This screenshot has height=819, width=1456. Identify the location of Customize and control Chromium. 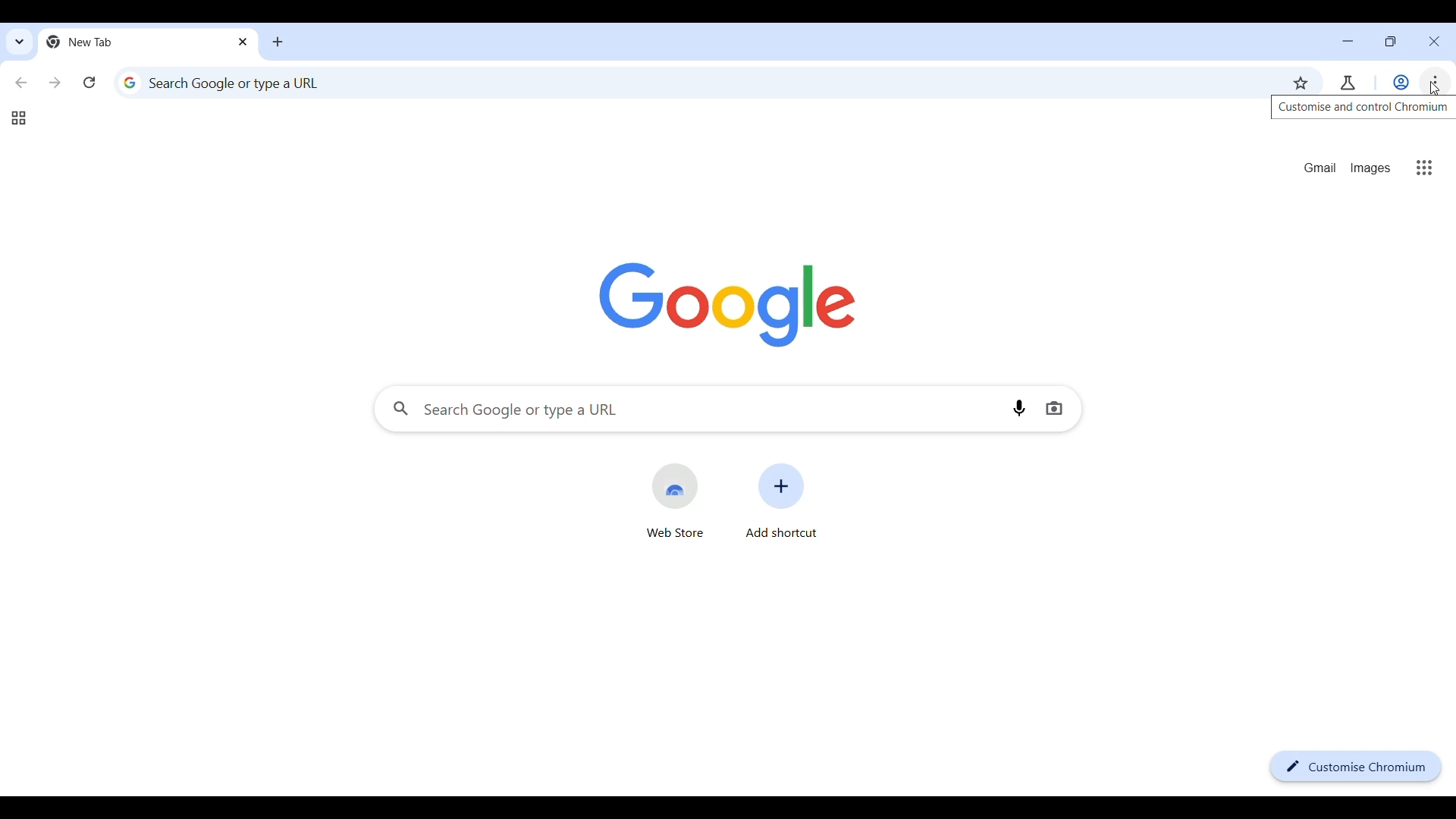
(1432, 82).